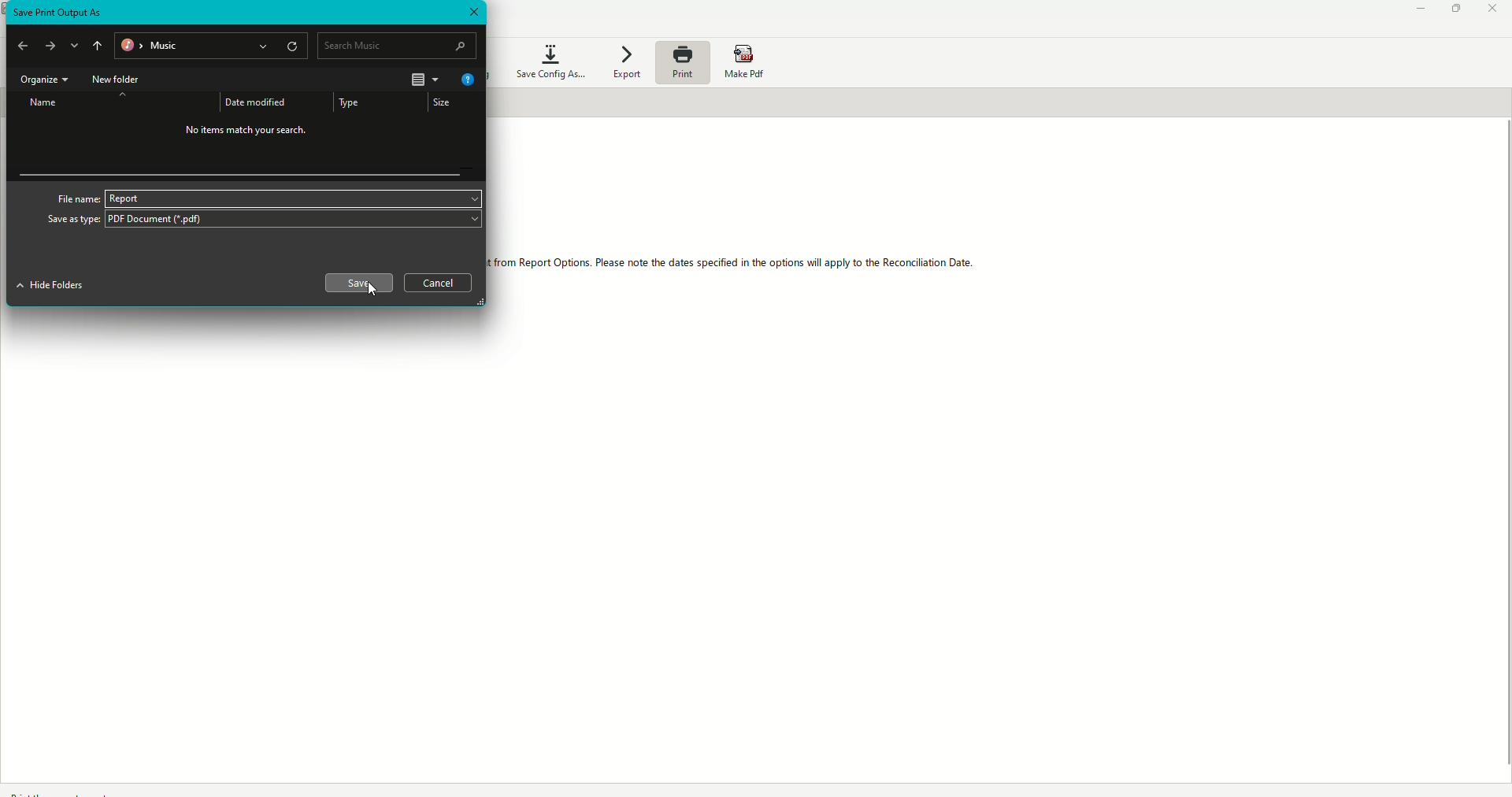  I want to click on The reconcile report is designed to be similar to the formal reconciliation tool. Please select the account from report Options.Please note the dates specified in the options will apply to the reconciliation data, so click(733, 265).